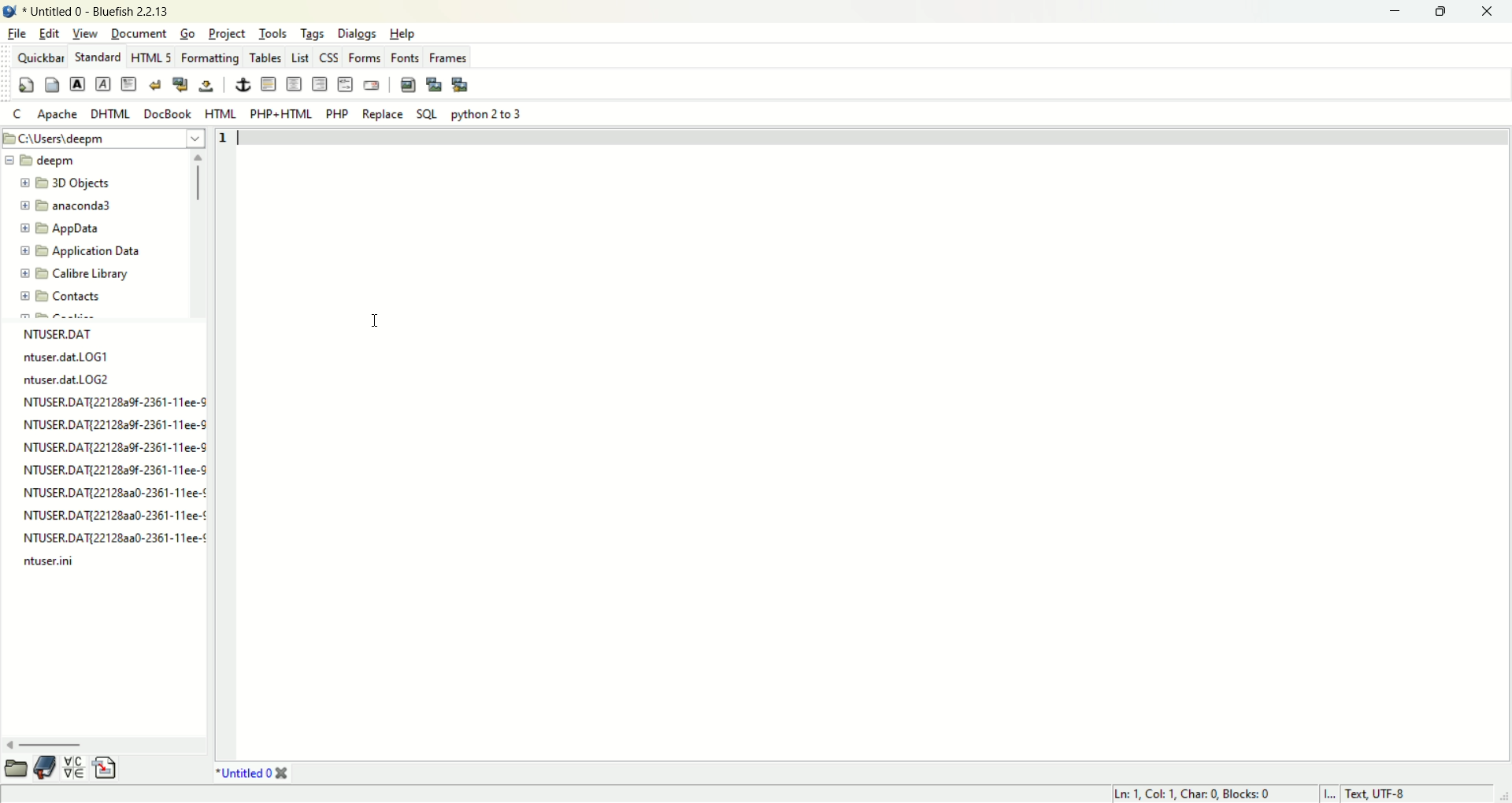  Describe the element at coordinates (1393, 12) in the screenshot. I see `minimize` at that location.